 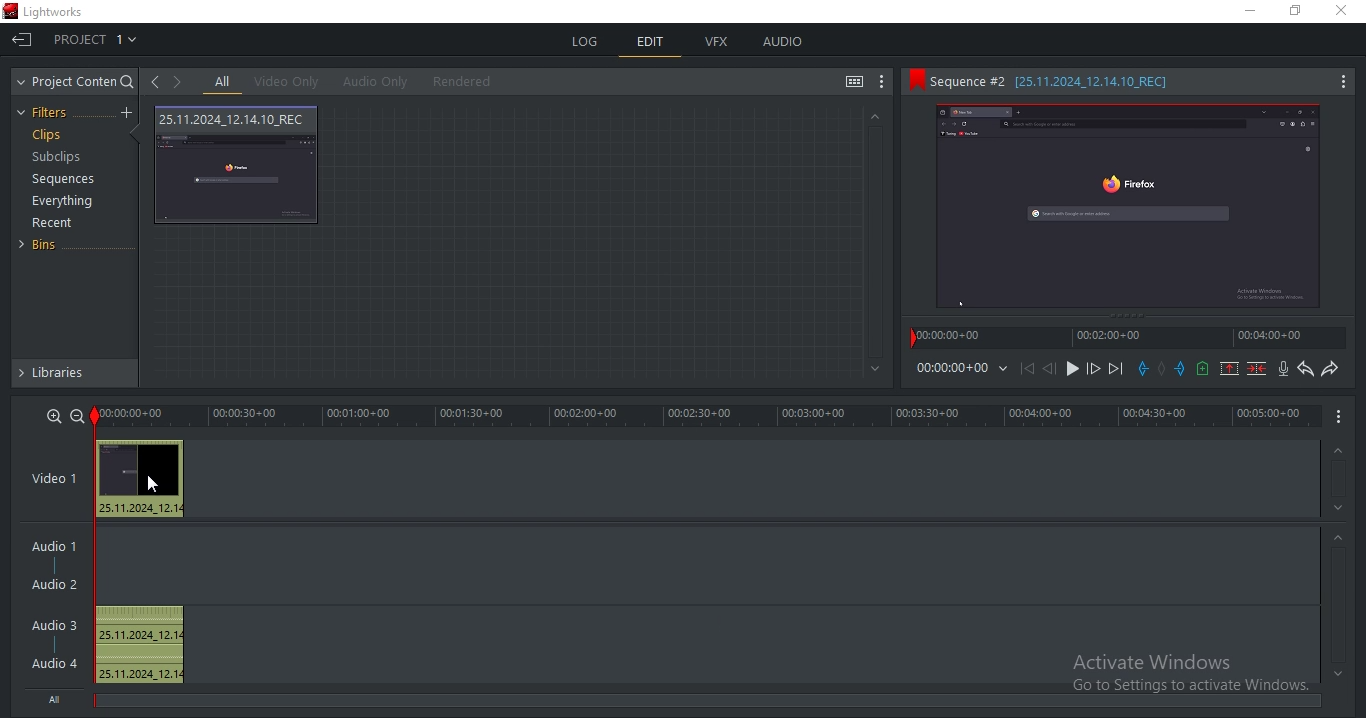 What do you see at coordinates (129, 113) in the screenshot?
I see `add` at bounding box center [129, 113].